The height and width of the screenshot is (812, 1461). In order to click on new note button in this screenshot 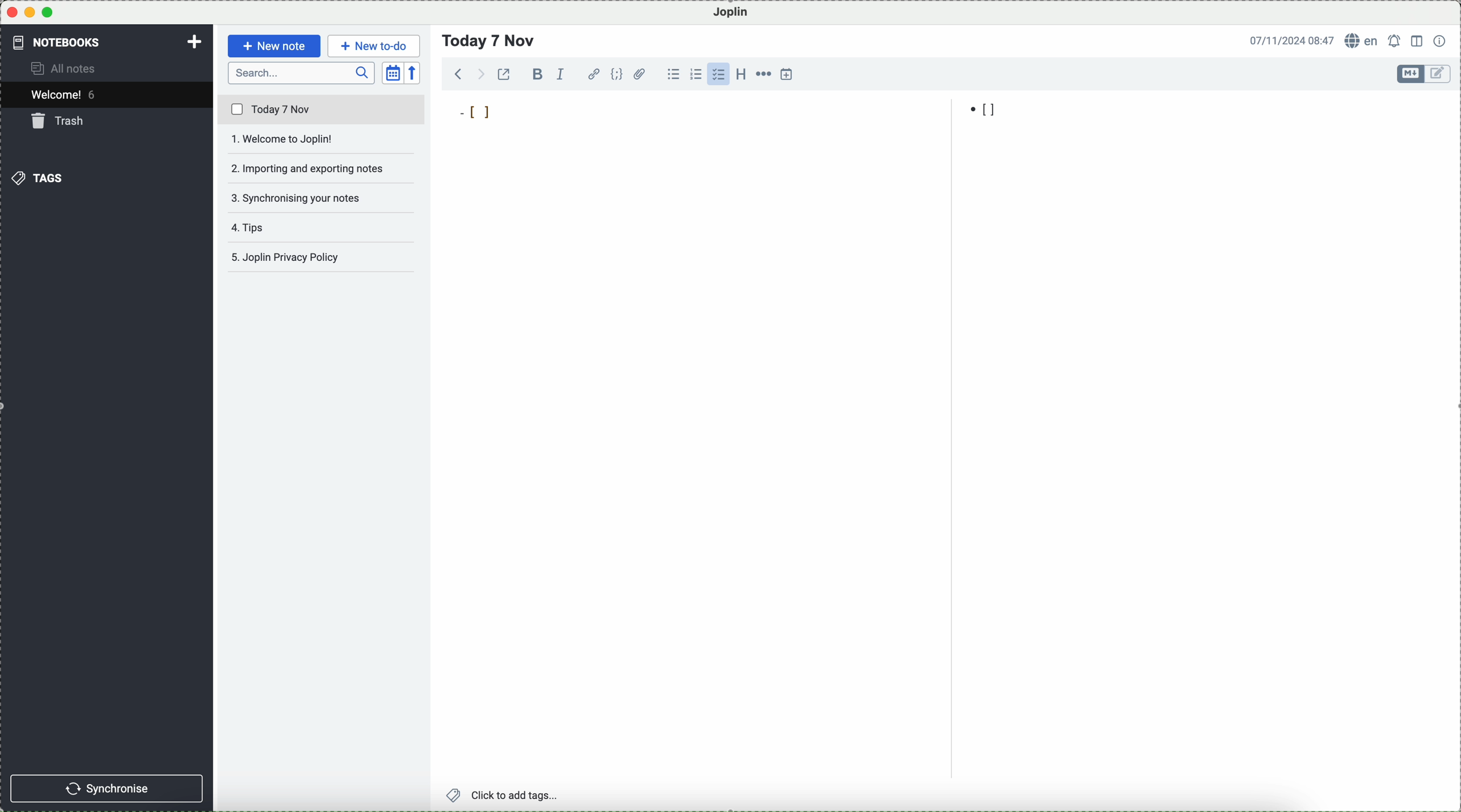, I will do `click(275, 46)`.